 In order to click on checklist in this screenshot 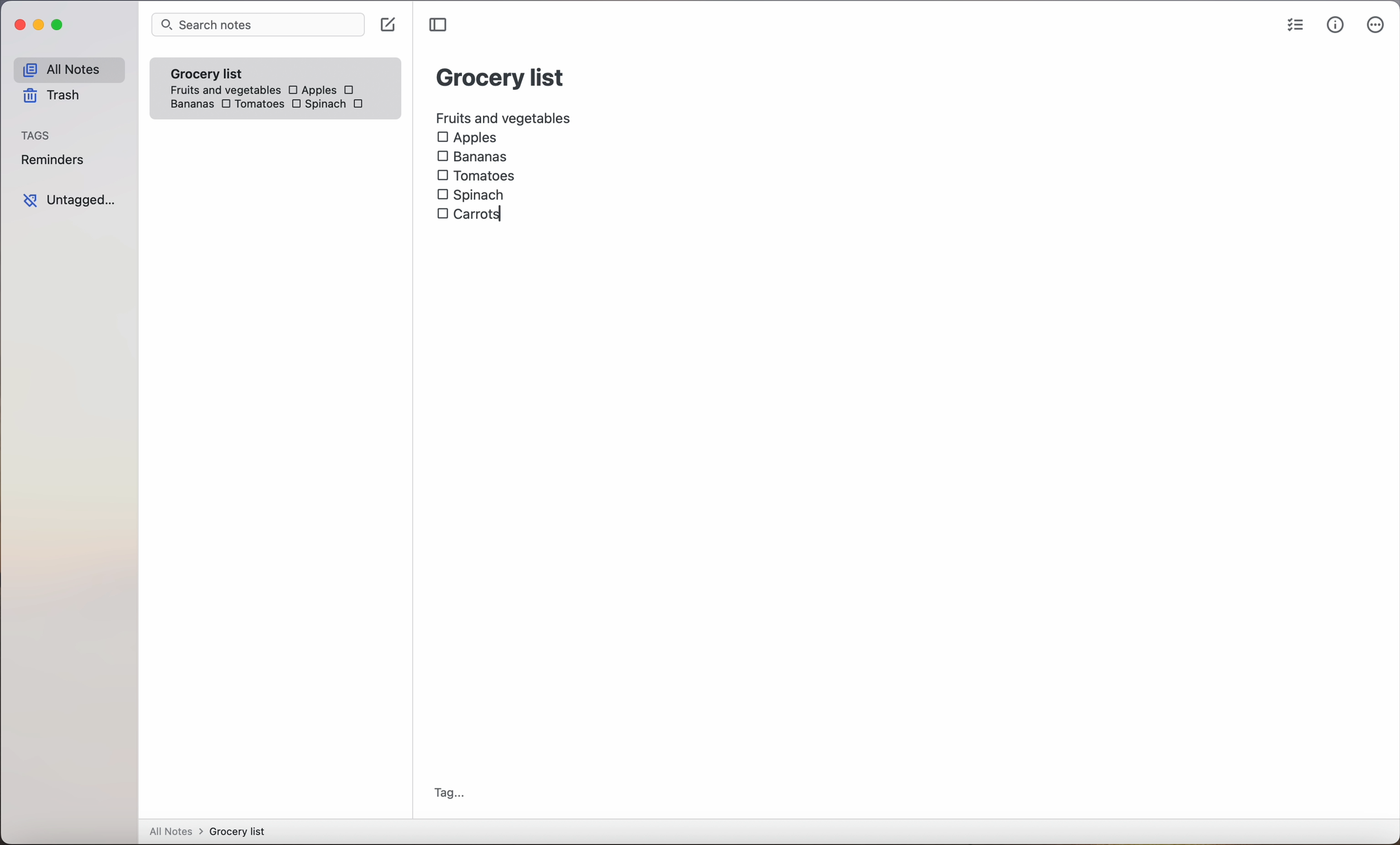, I will do `click(1293, 27)`.